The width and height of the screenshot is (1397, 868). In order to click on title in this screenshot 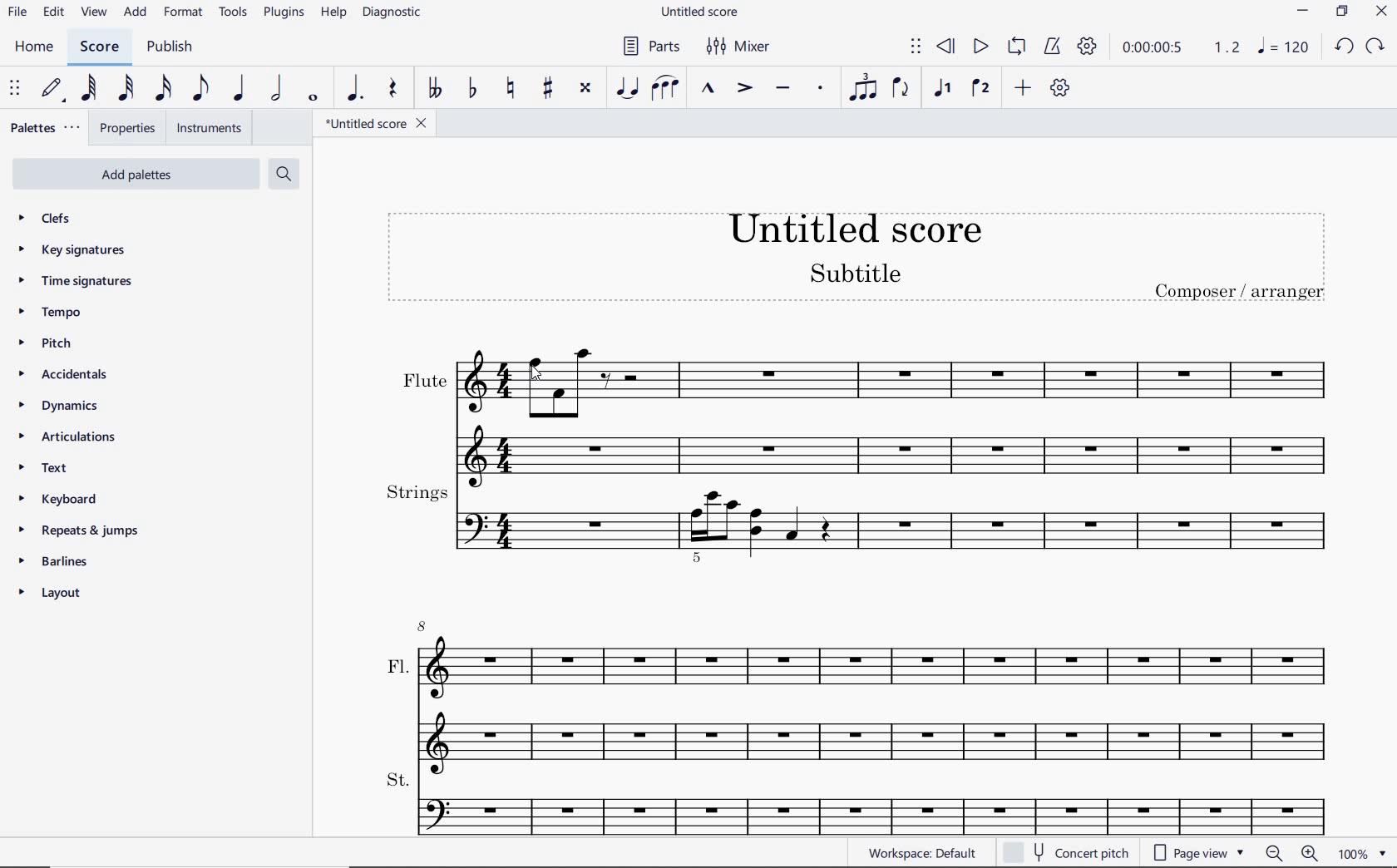, I will do `click(861, 263)`.